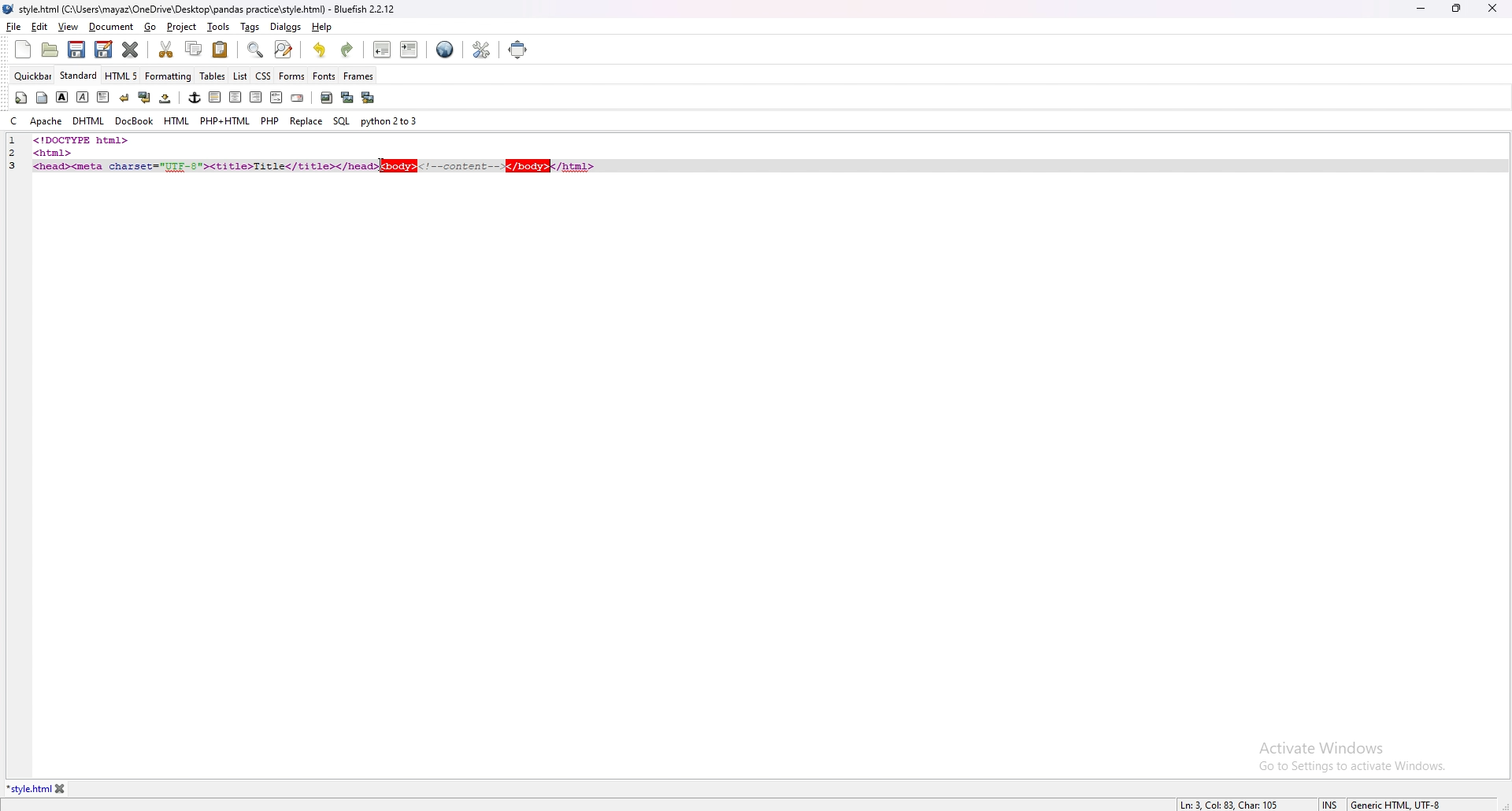  I want to click on non breaking space, so click(166, 98).